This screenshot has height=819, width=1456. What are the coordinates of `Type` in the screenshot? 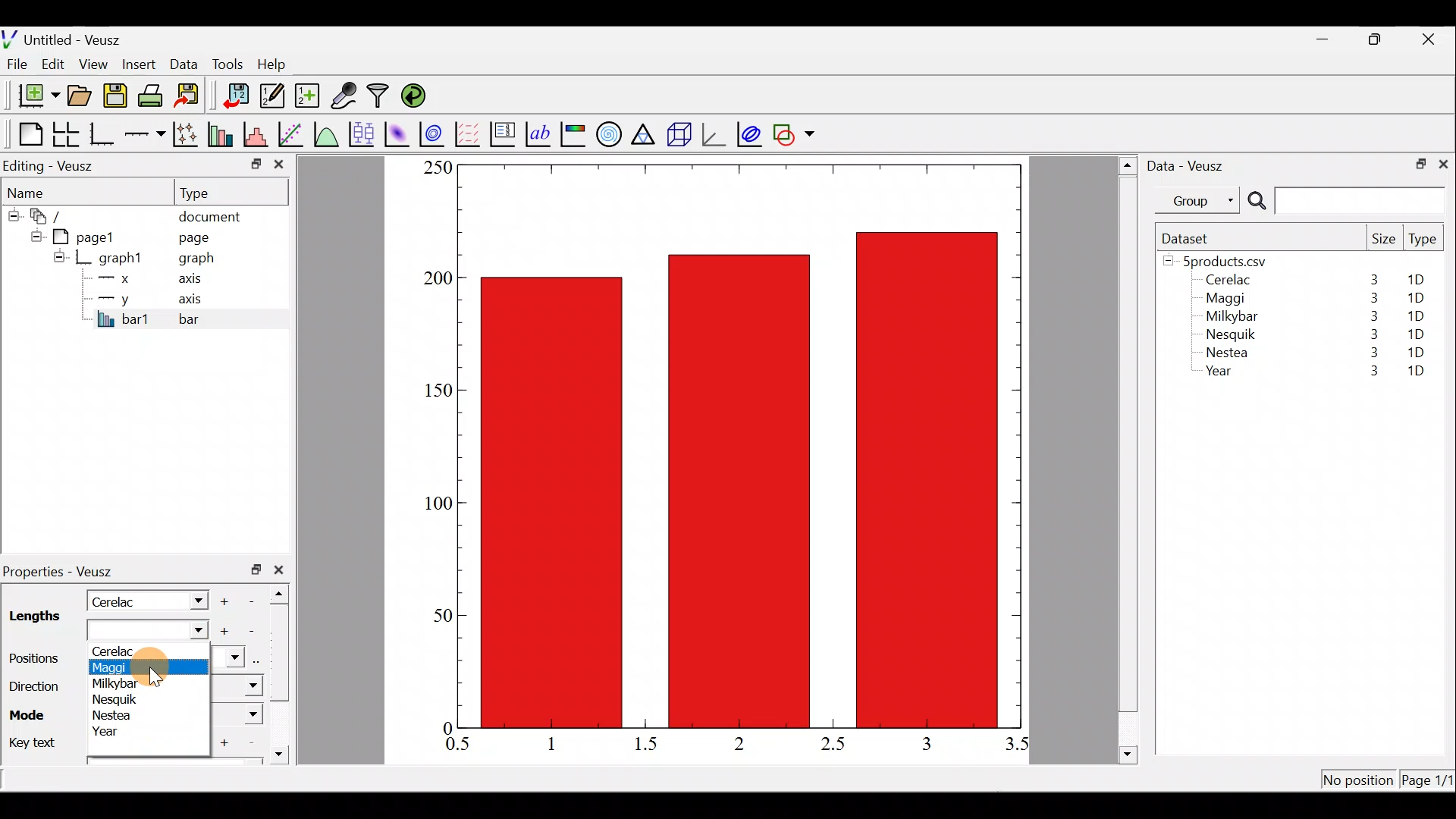 It's located at (209, 192).